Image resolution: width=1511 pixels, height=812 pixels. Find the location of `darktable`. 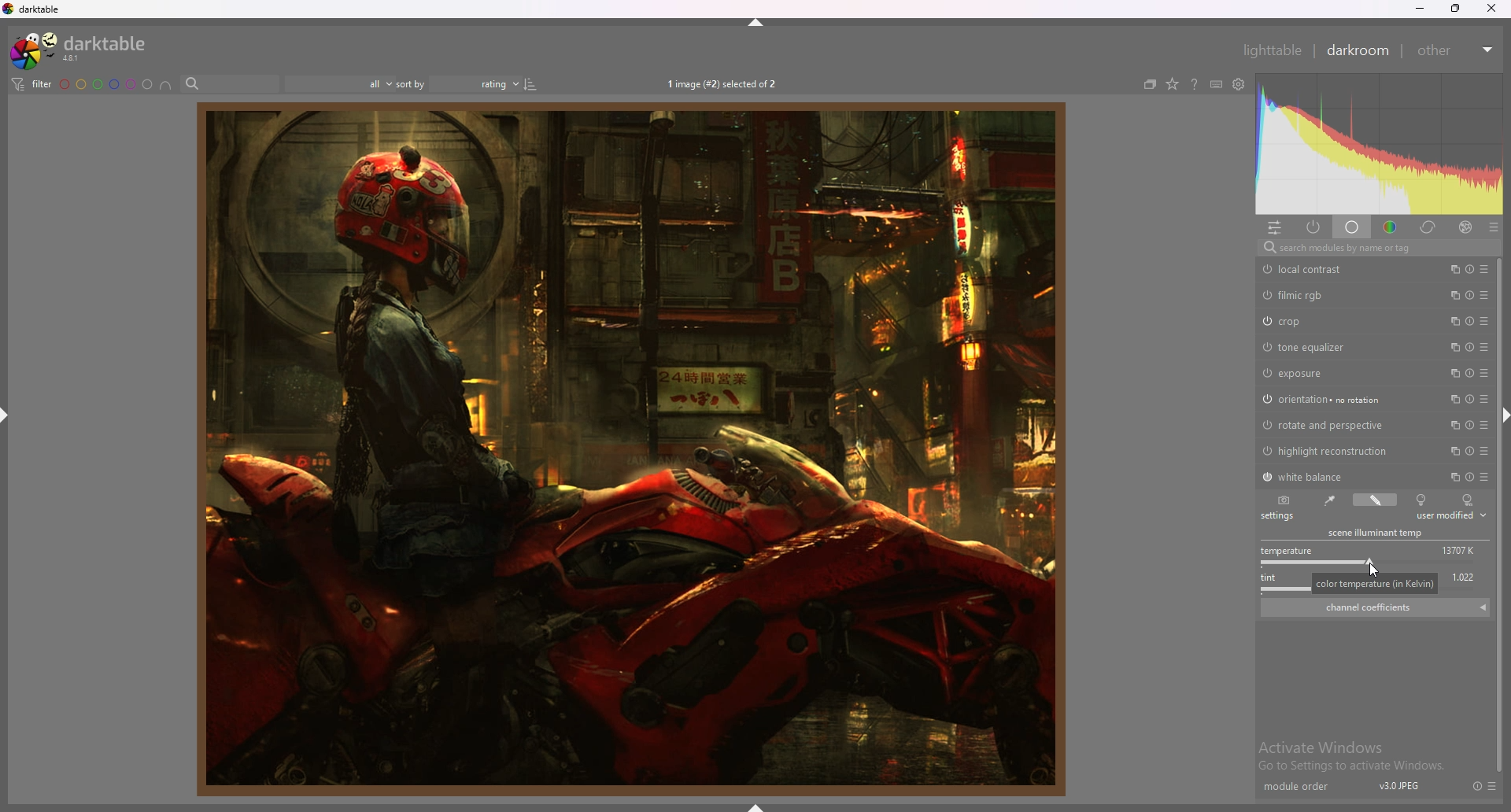

darktable is located at coordinates (35, 9).